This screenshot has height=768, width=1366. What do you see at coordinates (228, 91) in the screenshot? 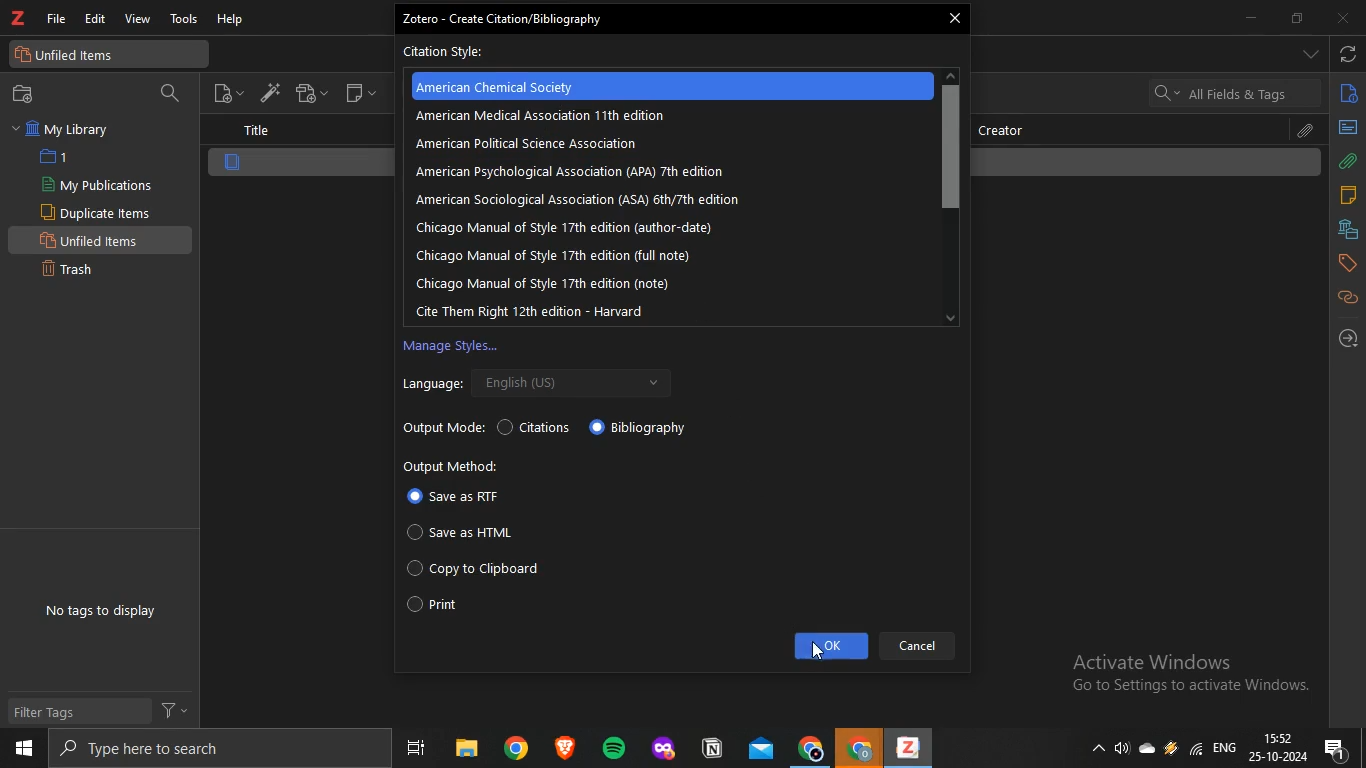
I see `new item` at bounding box center [228, 91].